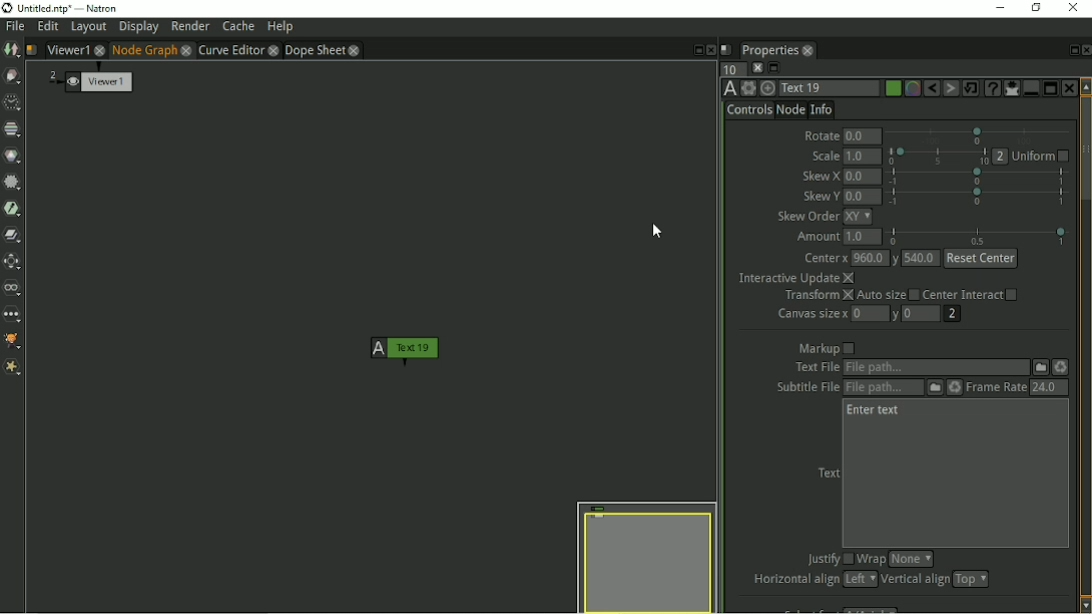 The height and width of the screenshot is (614, 1092). Describe the element at coordinates (100, 49) in the screenshot. I see `close` at that location.